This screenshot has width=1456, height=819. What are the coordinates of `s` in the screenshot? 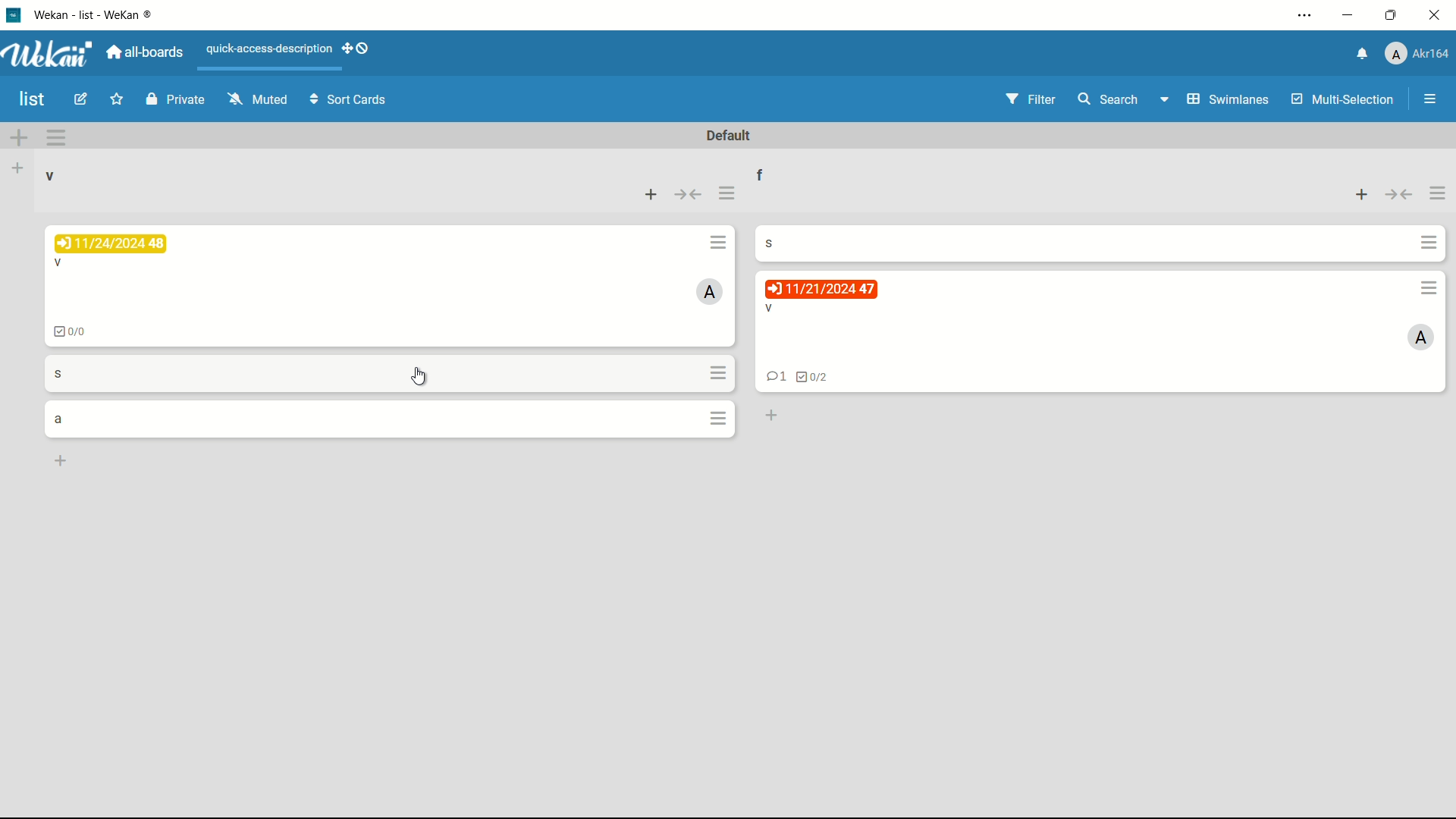 It's located at (58, 374).